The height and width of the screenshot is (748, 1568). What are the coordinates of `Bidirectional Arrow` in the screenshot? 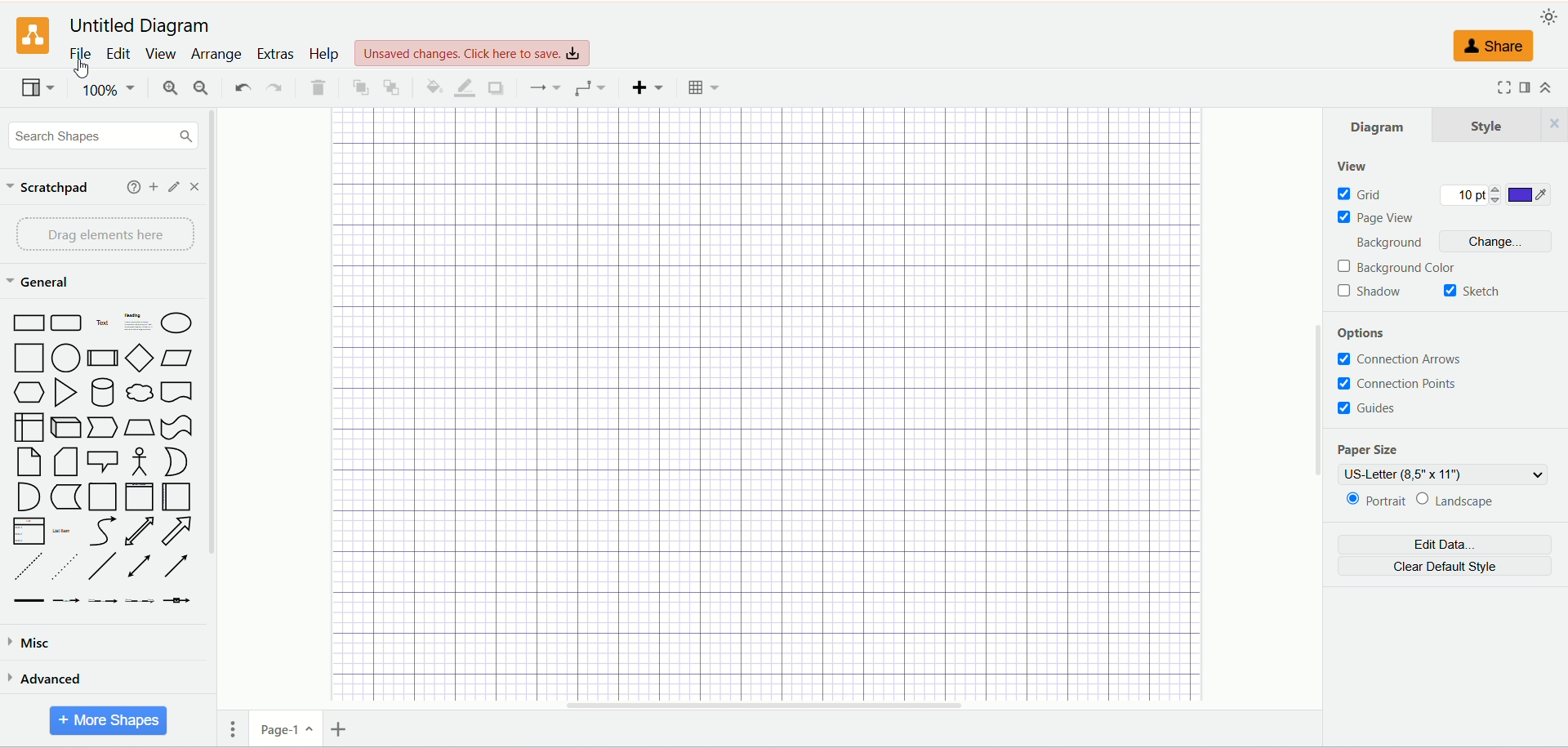 It's located at (139, 532).